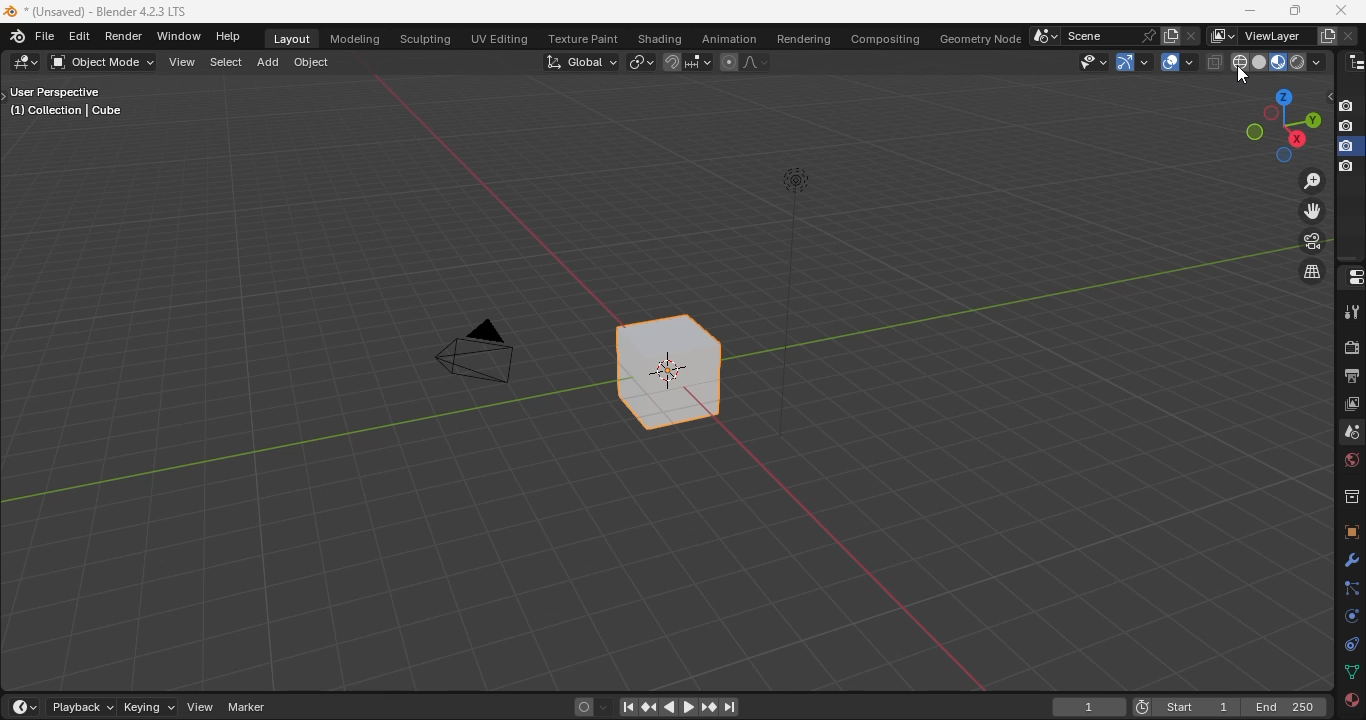 This screenshot has width=1366, height=720. What do you see at coordinates (729, 62) in the screenshot?
I see `proportional editing objects` at bounding box center [729, 62].